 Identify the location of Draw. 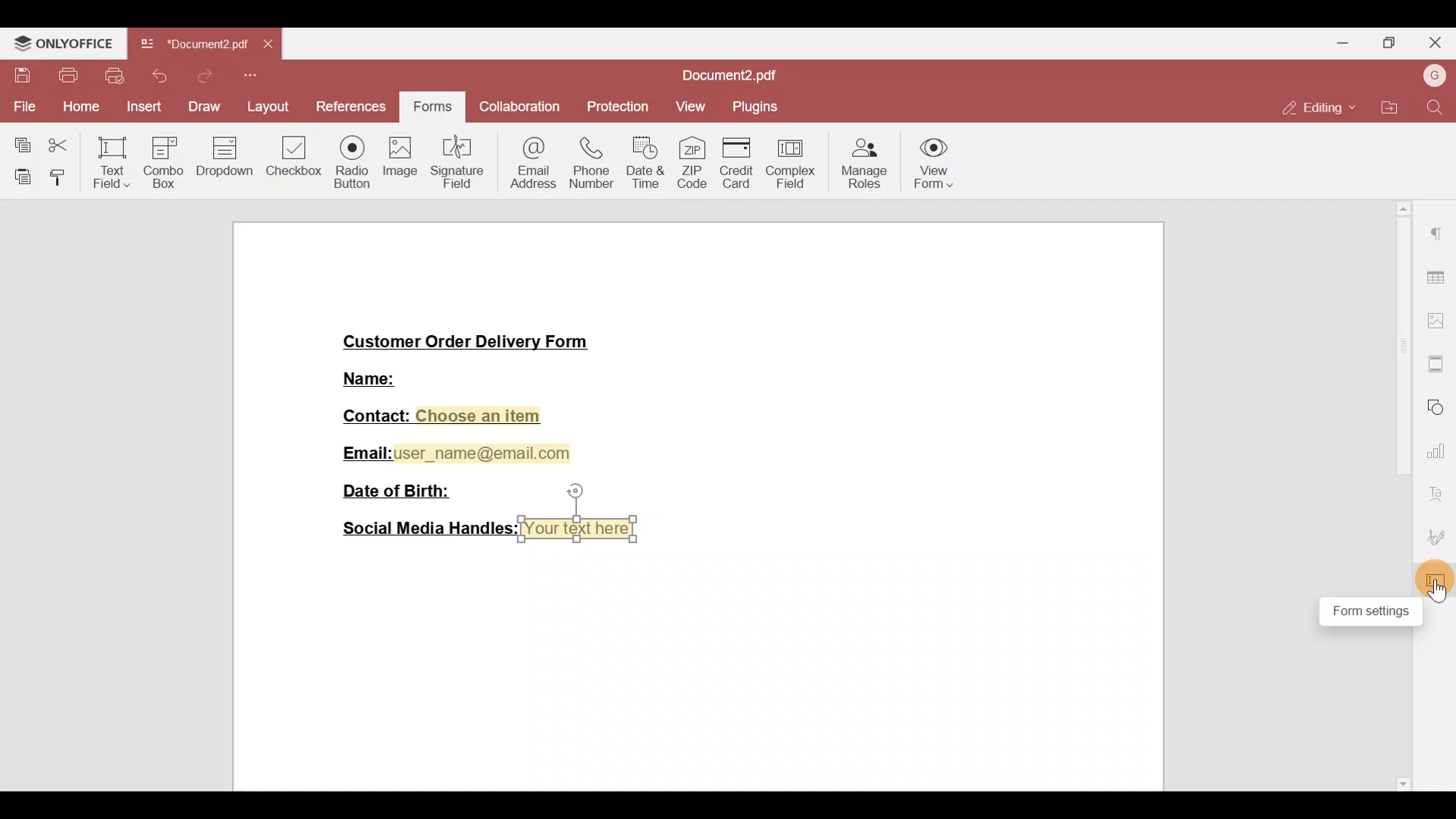
(204, 105).